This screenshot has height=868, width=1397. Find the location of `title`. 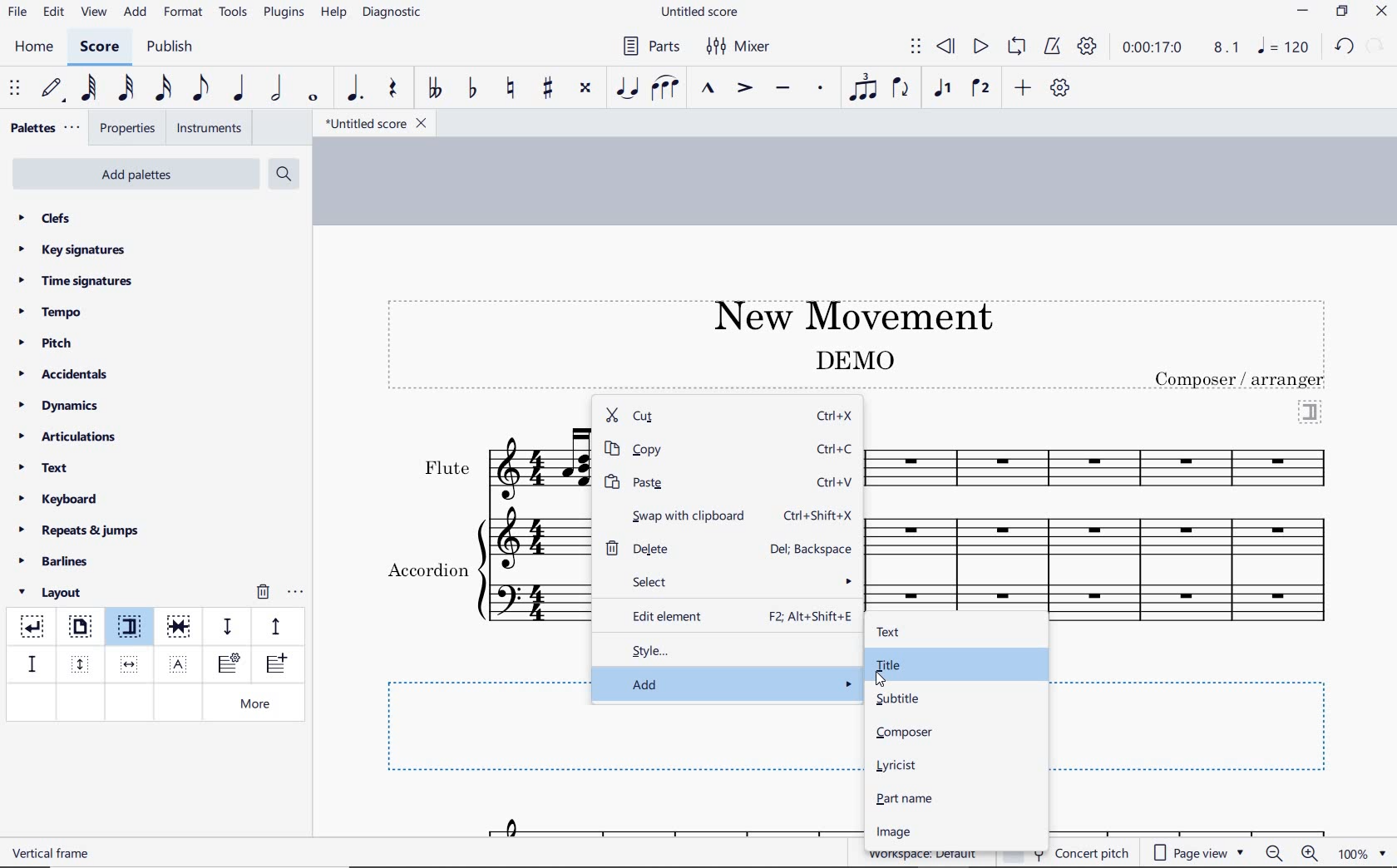

title is located at coordinates (887, 665).